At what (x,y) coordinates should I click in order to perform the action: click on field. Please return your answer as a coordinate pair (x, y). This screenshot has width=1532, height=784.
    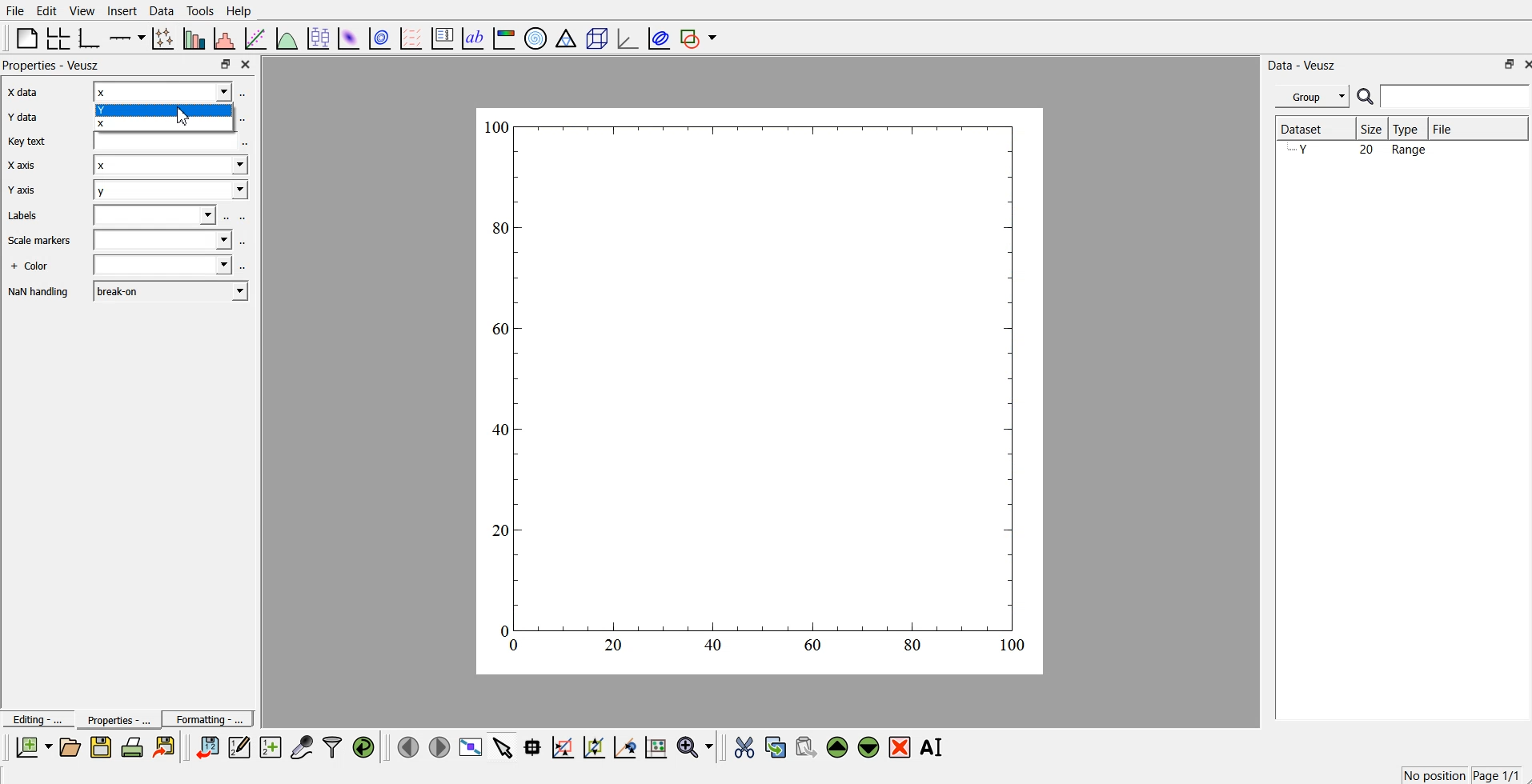
    Looking at the image, I should click on (164, 266).